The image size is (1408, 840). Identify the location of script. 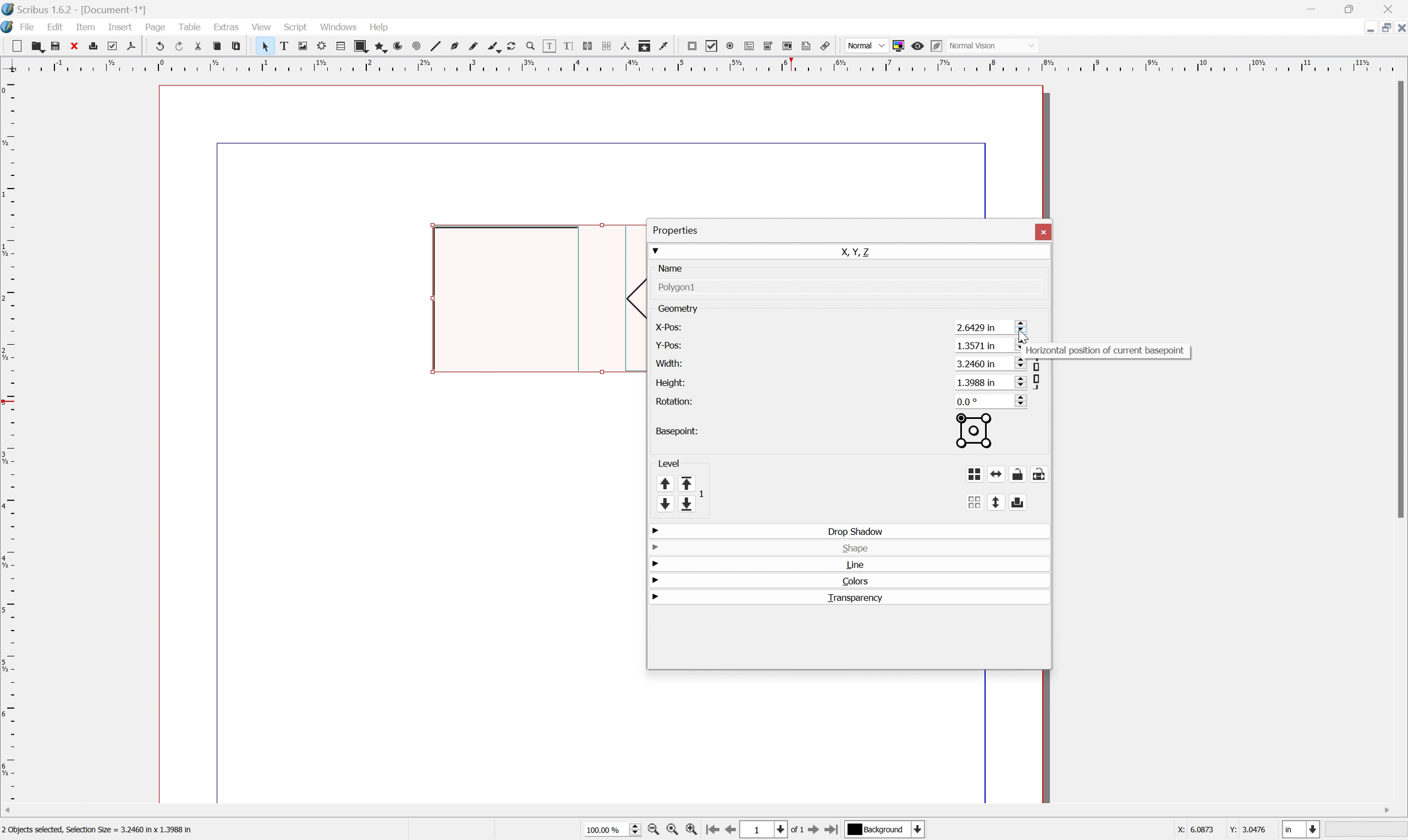
(296, 26).